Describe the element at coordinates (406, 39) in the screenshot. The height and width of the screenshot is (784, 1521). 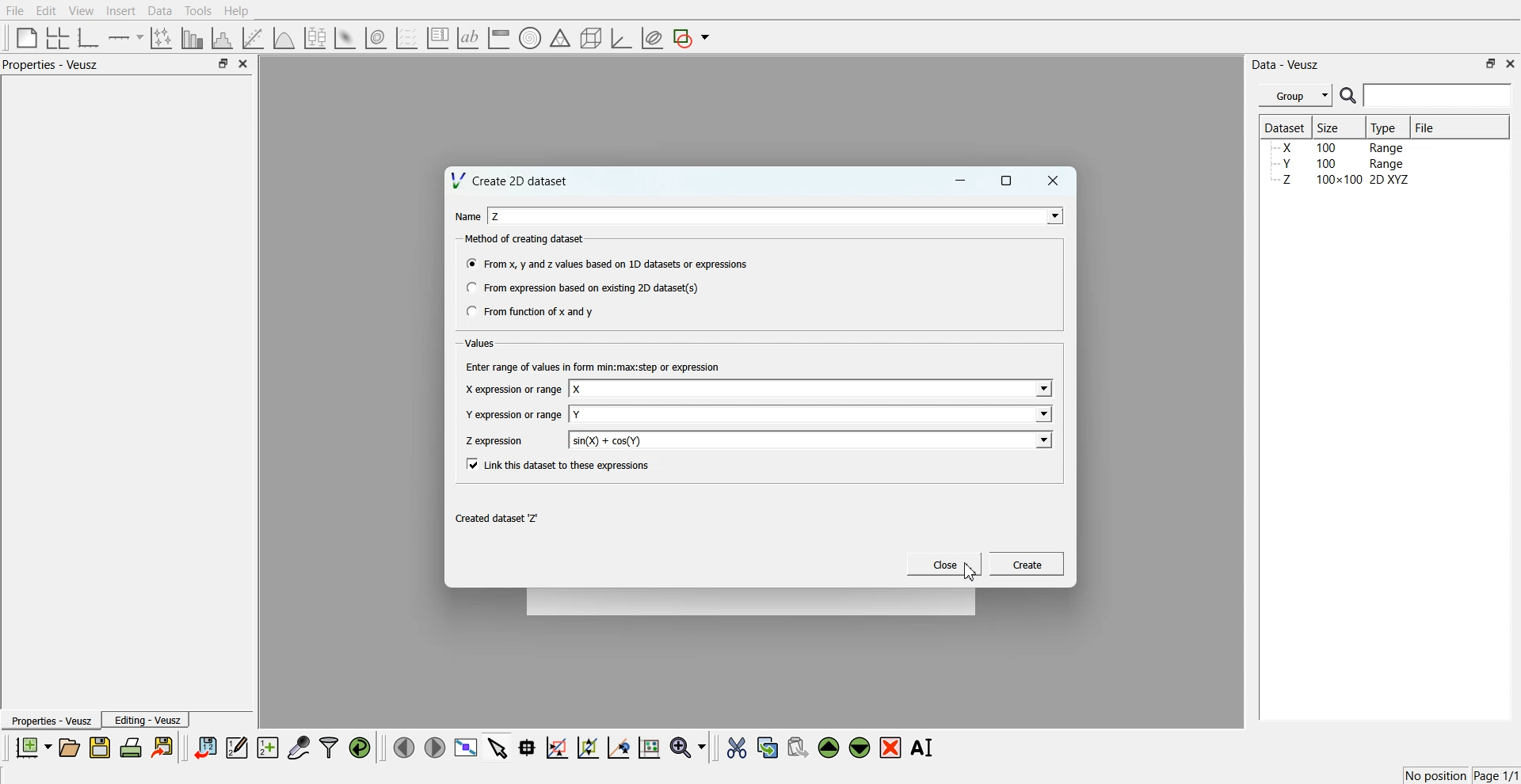
I see `Plot a vector field` at that location.